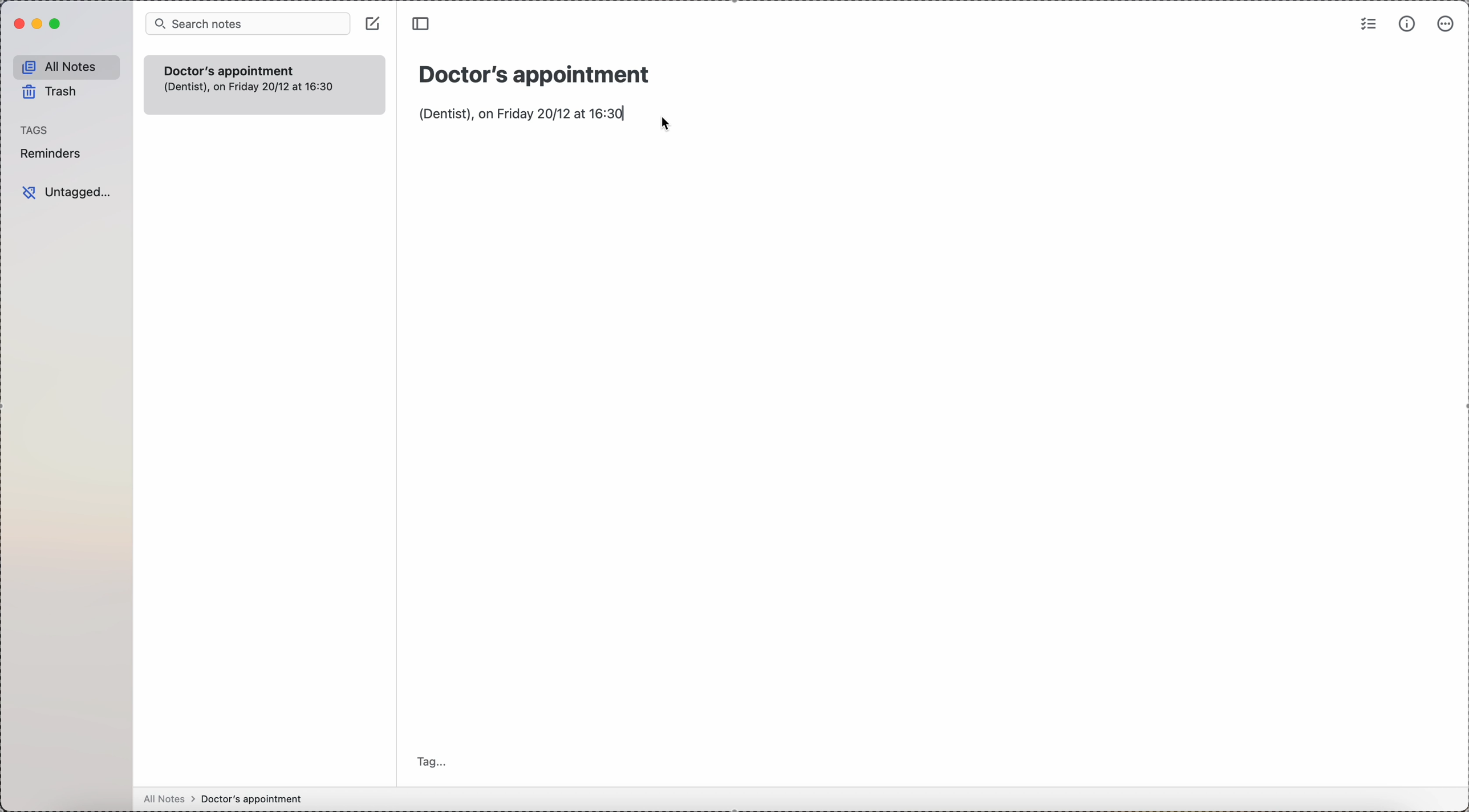 The width and height of the screenshot is (1469, 812). Describe the element at coordinates (431, 761) in the screenshot. I see `tag` at that location.